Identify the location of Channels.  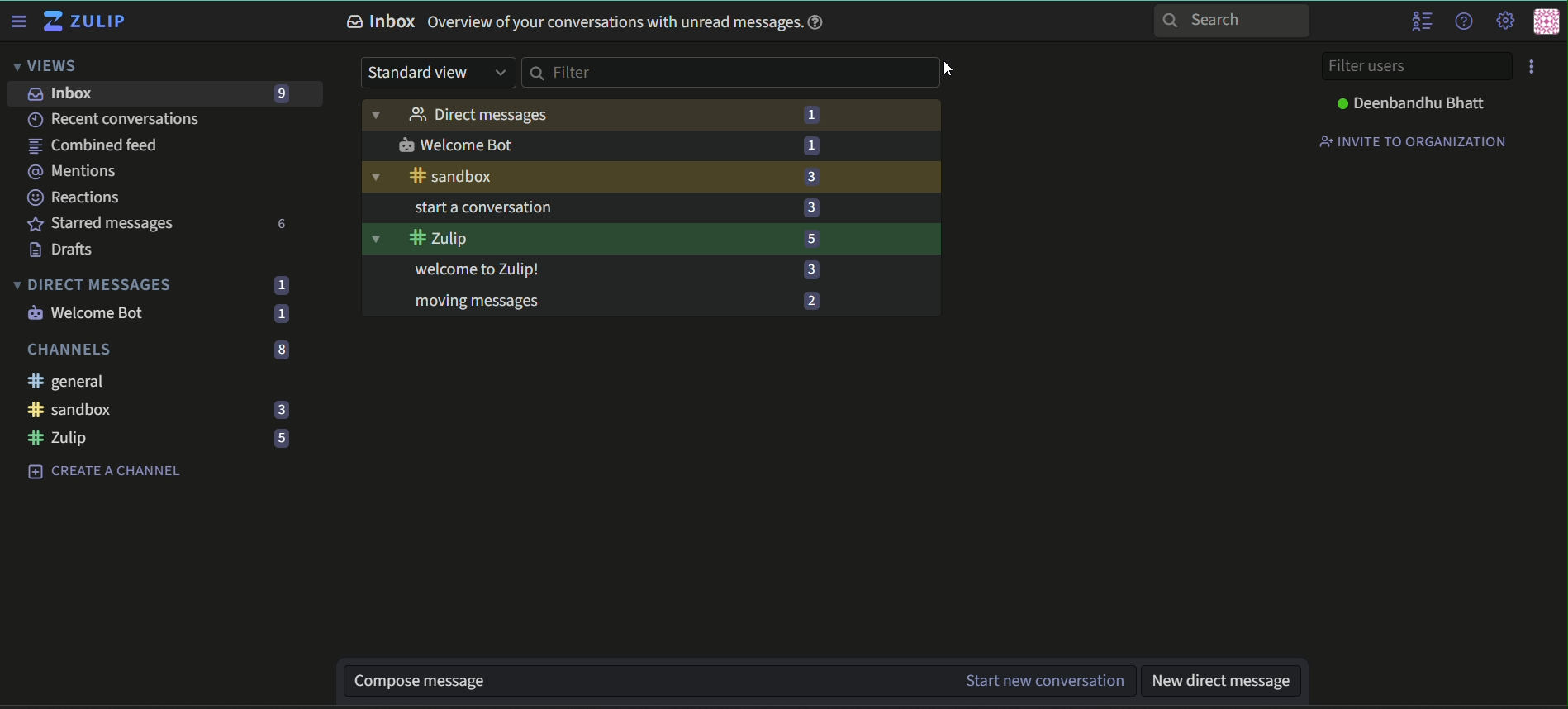
(69, 350).